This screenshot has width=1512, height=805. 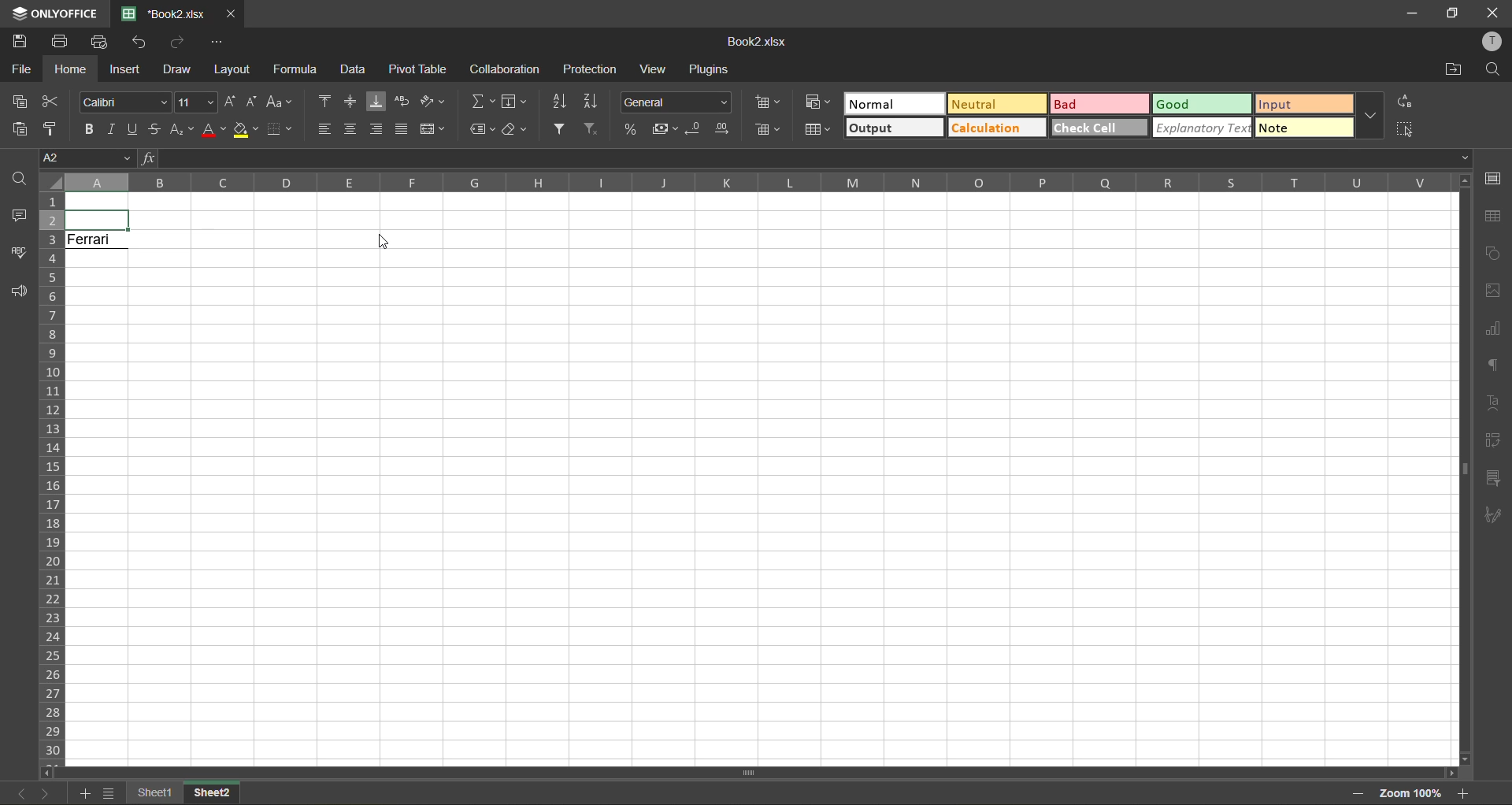 What do you see at coordinates (818, 103) in the screenshot?
I see `conditional formatting` at bounding box center [818, 103].